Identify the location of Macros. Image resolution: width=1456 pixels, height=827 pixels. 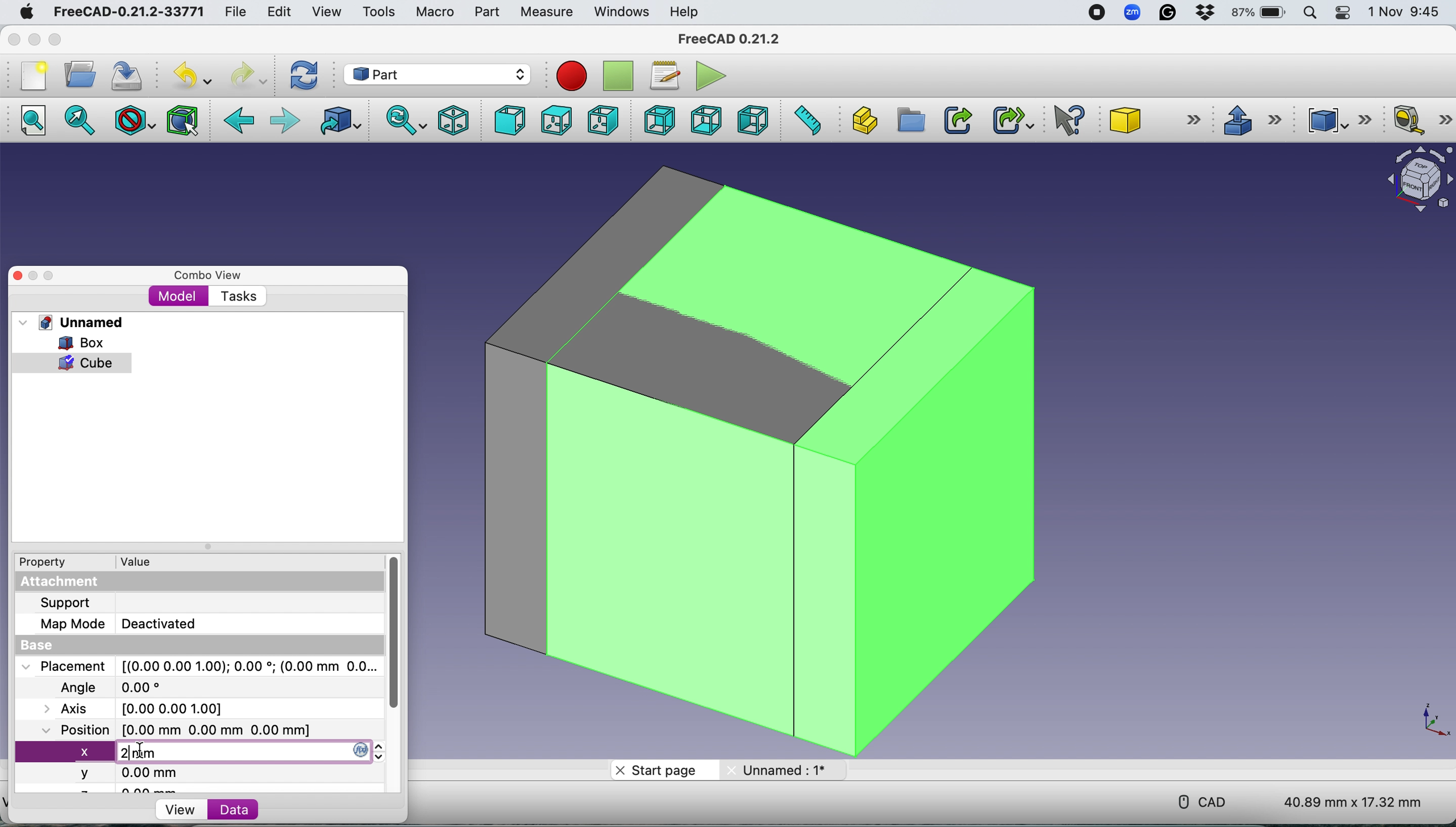
(668, 76).